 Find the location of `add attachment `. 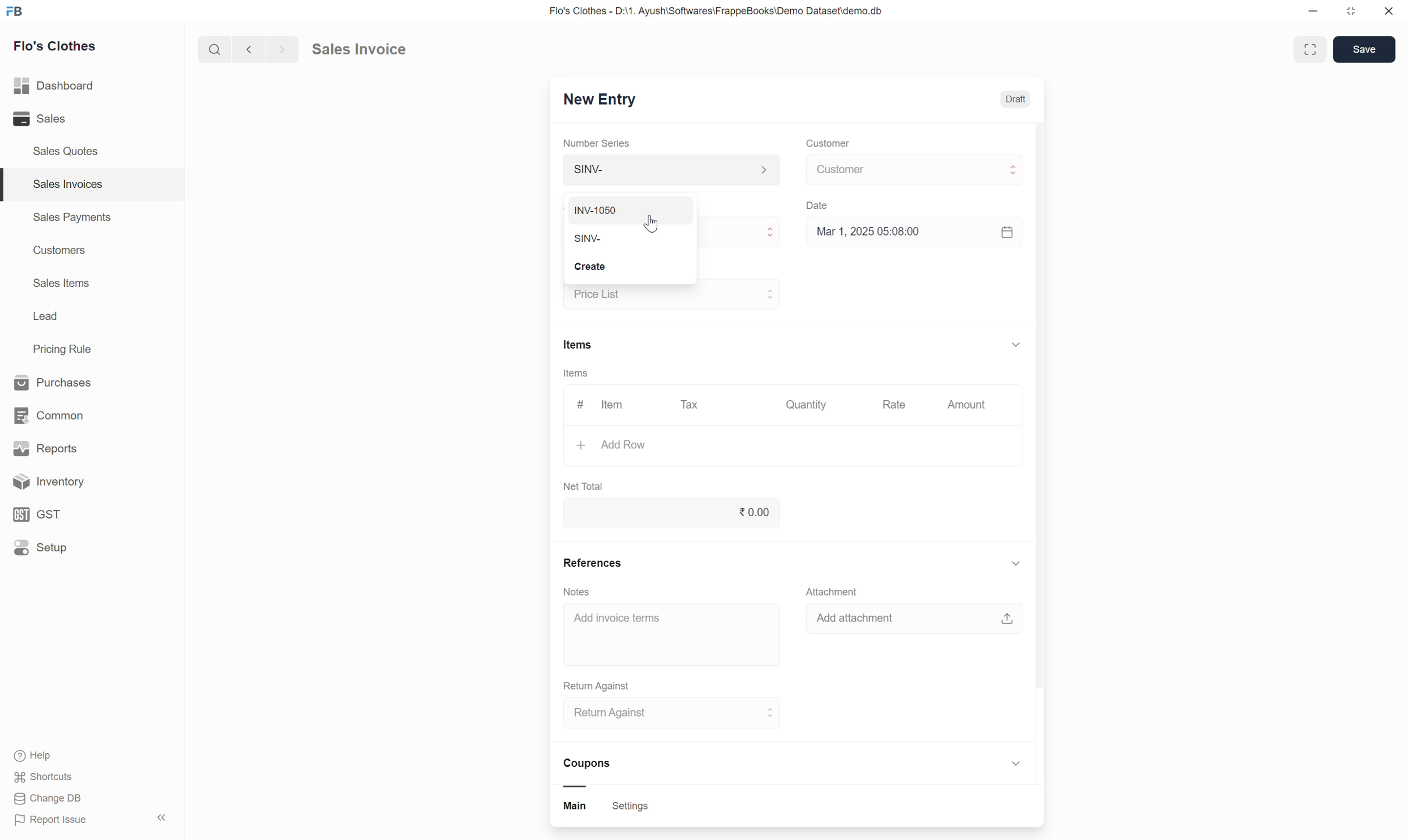

add attachment  is located at coordinates (915, 623).